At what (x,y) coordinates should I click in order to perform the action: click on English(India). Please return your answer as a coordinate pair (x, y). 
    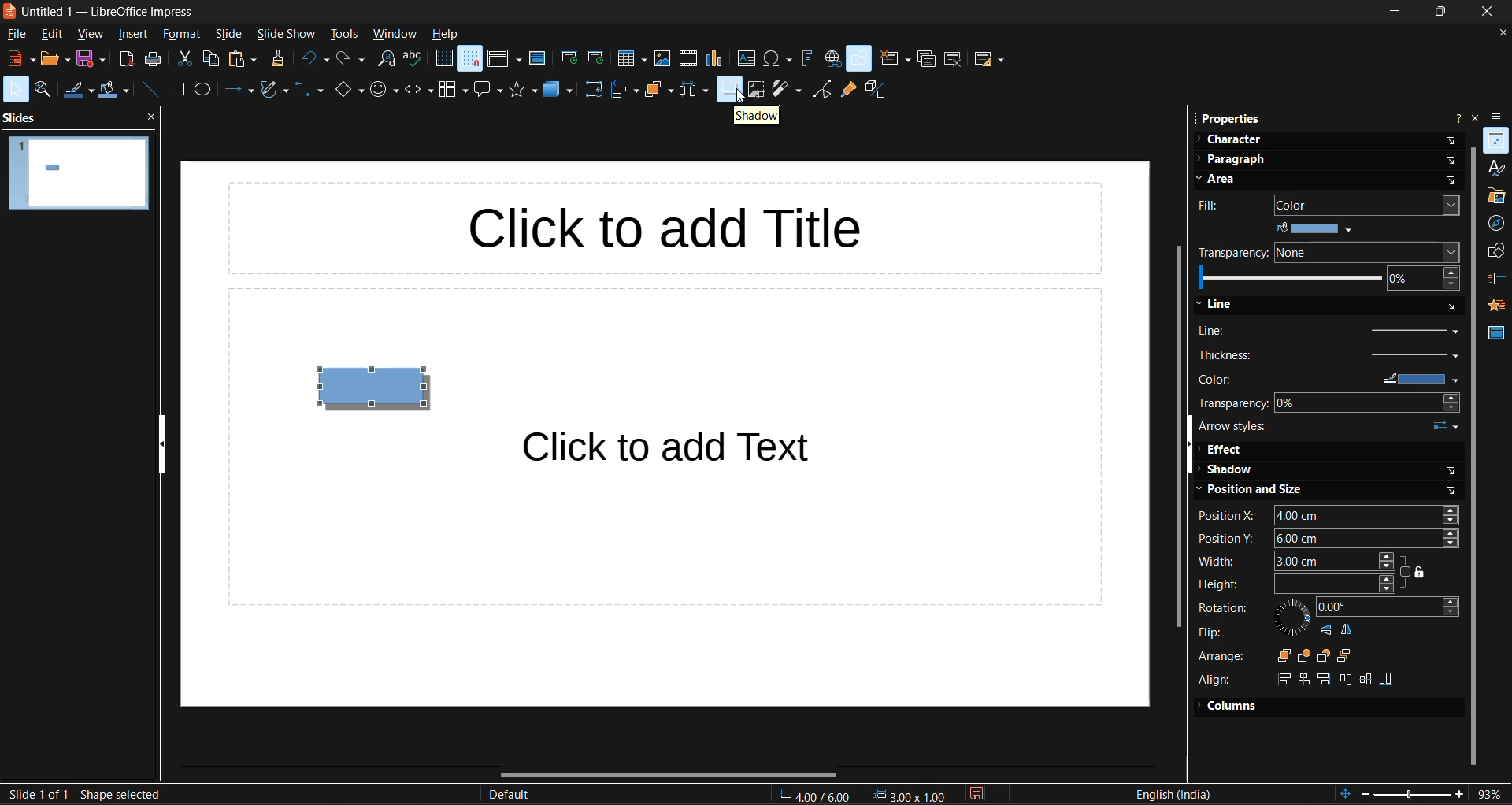
    Looking at the image, I should click on (1175, 793).